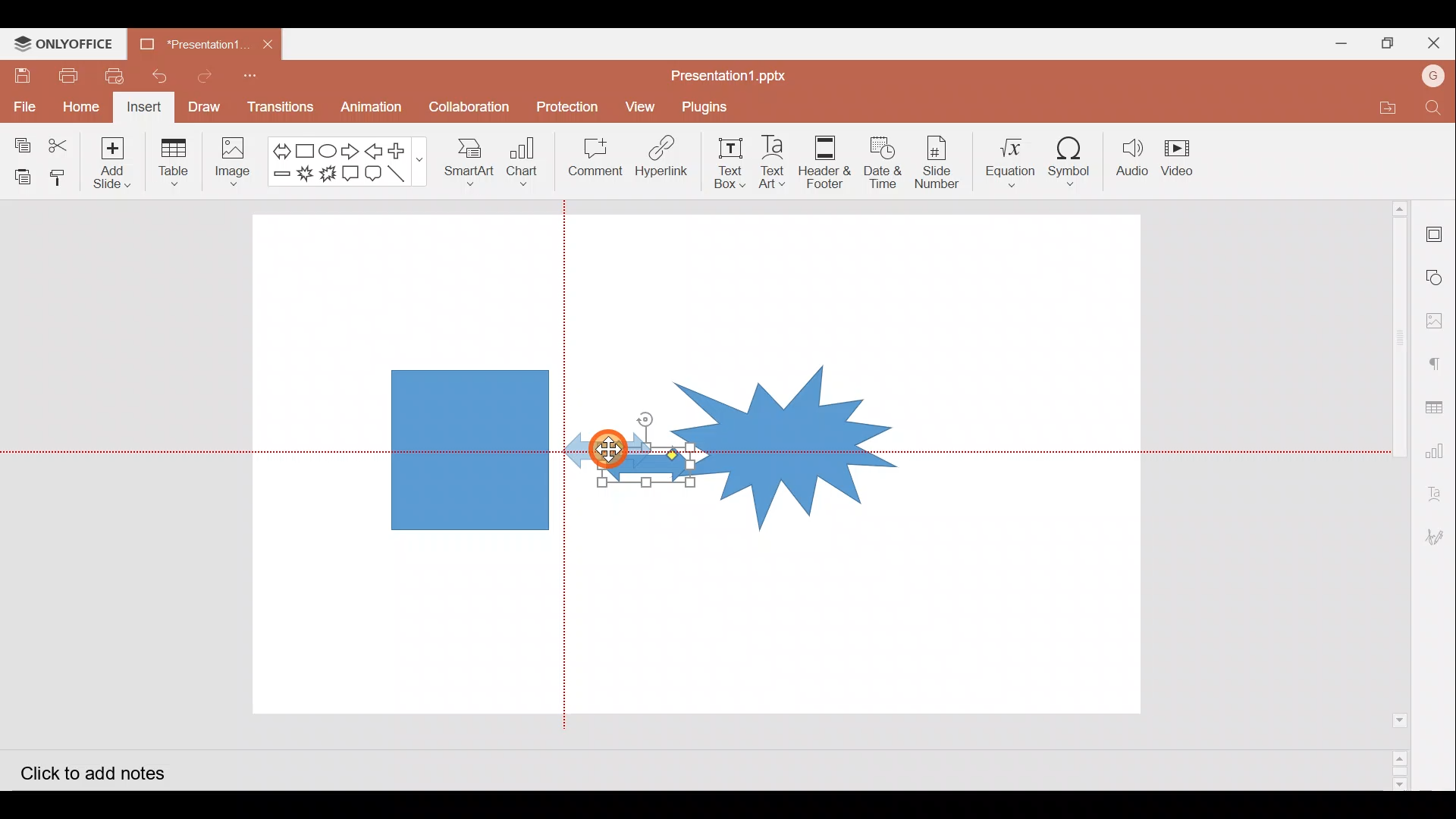  Describe the element at coordinates (302, 149) in the screenshot. I see `Rectangle` at that location.